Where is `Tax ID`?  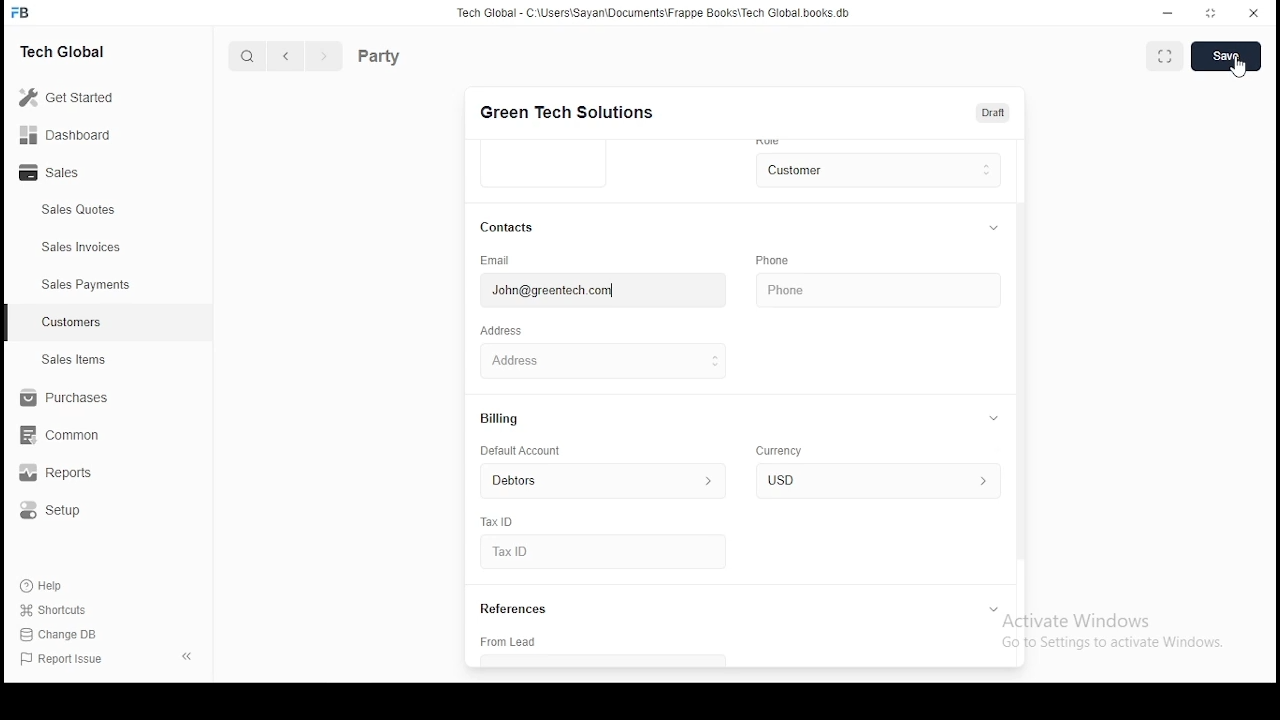 Tax ID is located at coordinates (542, 553).